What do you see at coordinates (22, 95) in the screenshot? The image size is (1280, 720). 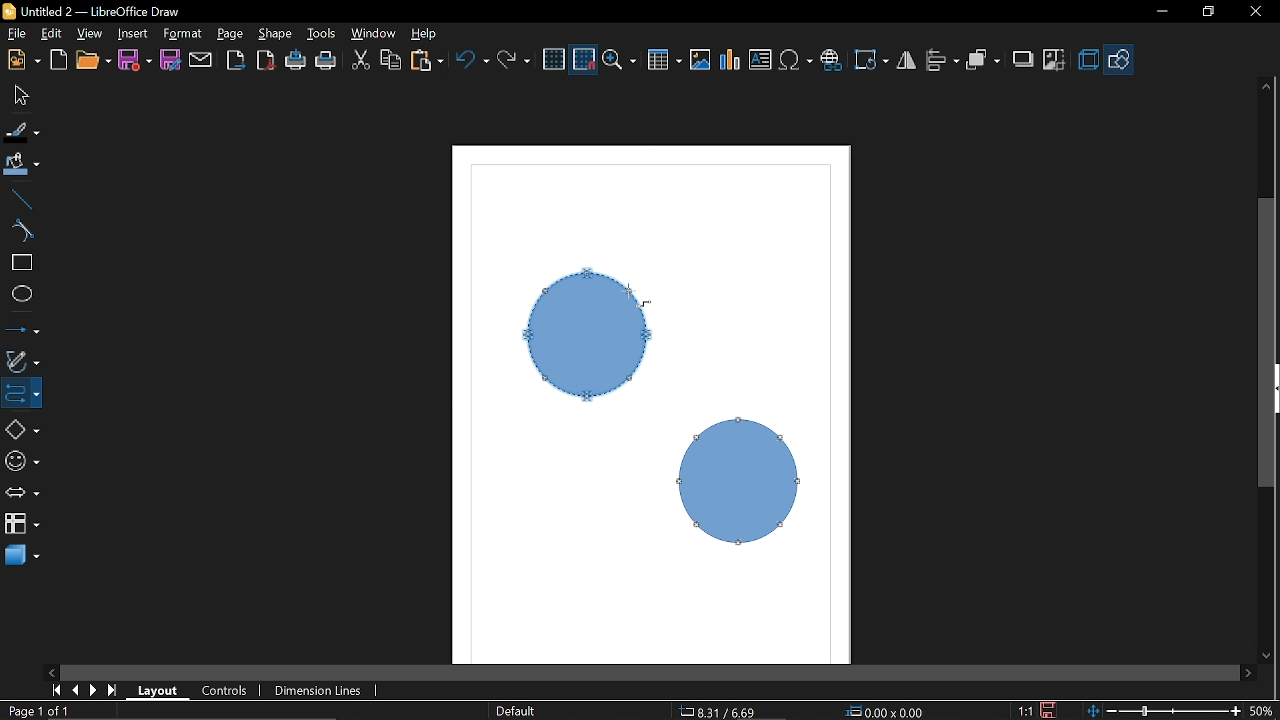 I see `Select` at bounding box center [22, 95].